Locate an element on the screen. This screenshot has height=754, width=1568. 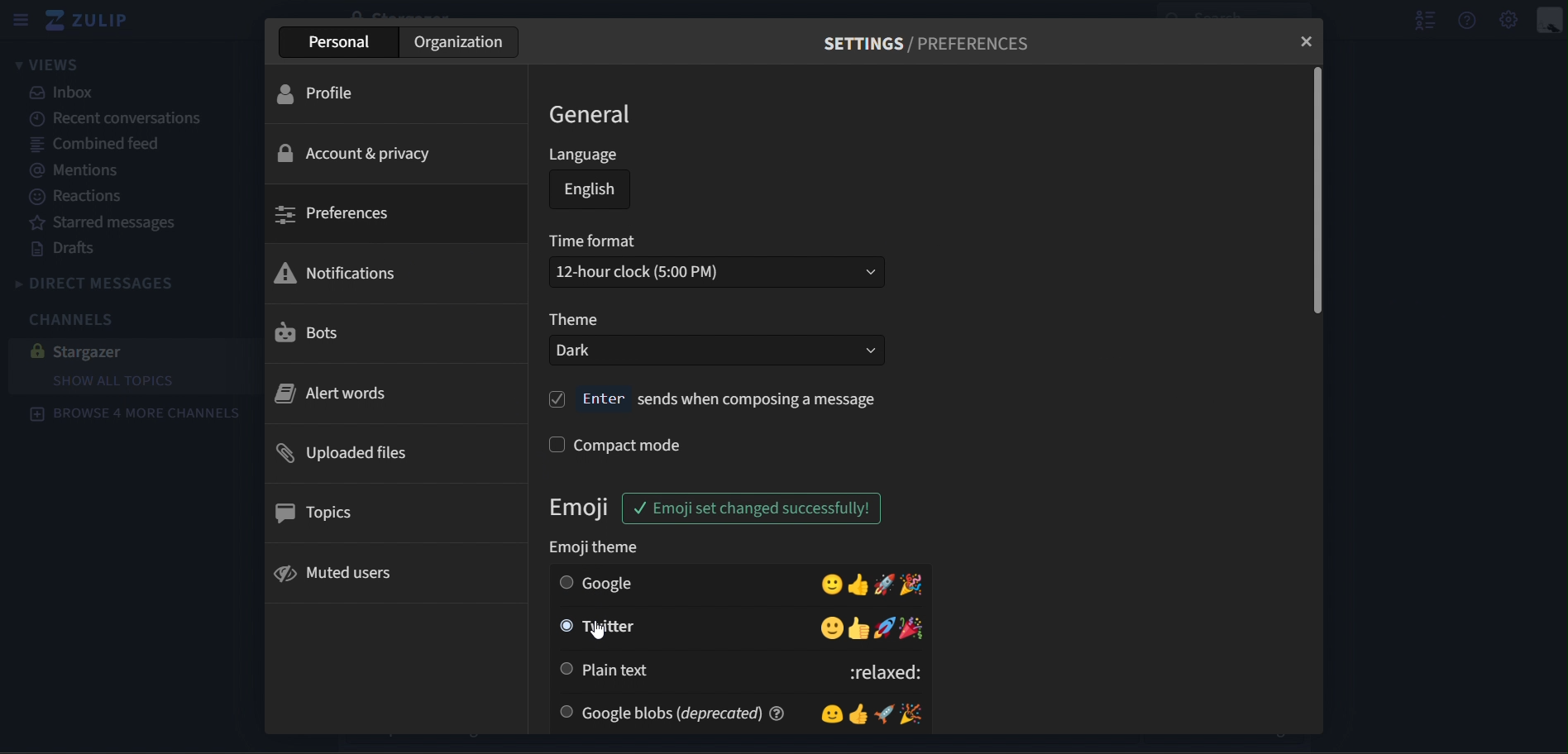
emoji is located at coordinates (583, 508).